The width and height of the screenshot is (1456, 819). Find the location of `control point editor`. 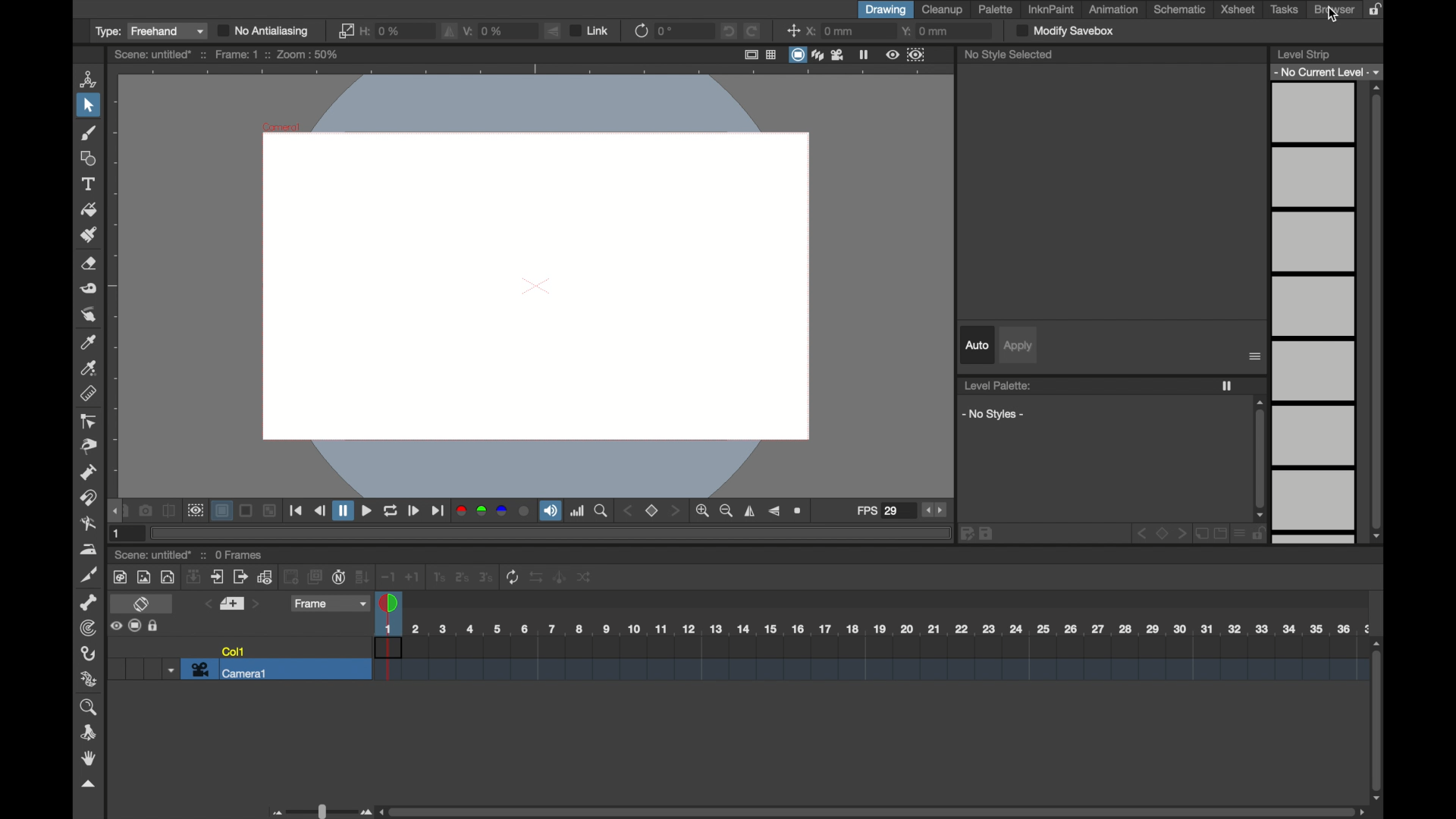

control point editor is located at coordinates (89, 422).